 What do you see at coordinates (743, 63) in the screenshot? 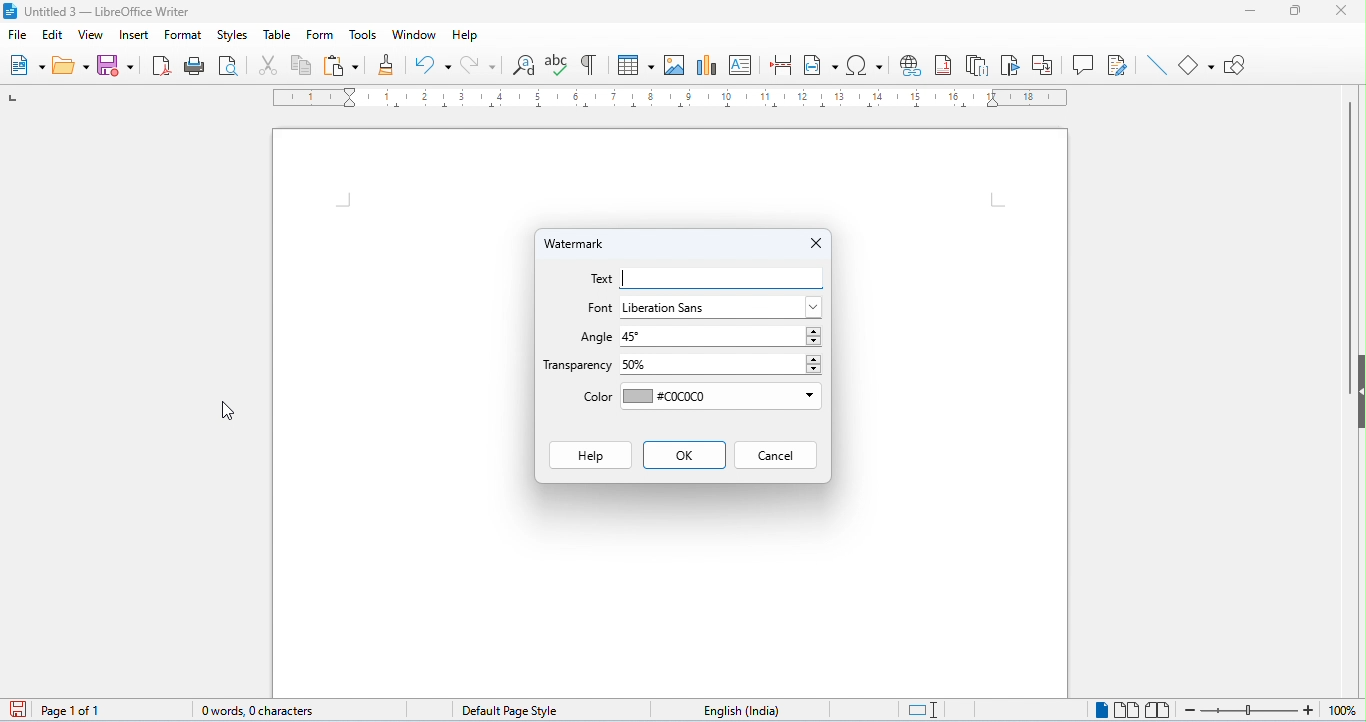
I see `insert text box` at bounding box center [743, 63].